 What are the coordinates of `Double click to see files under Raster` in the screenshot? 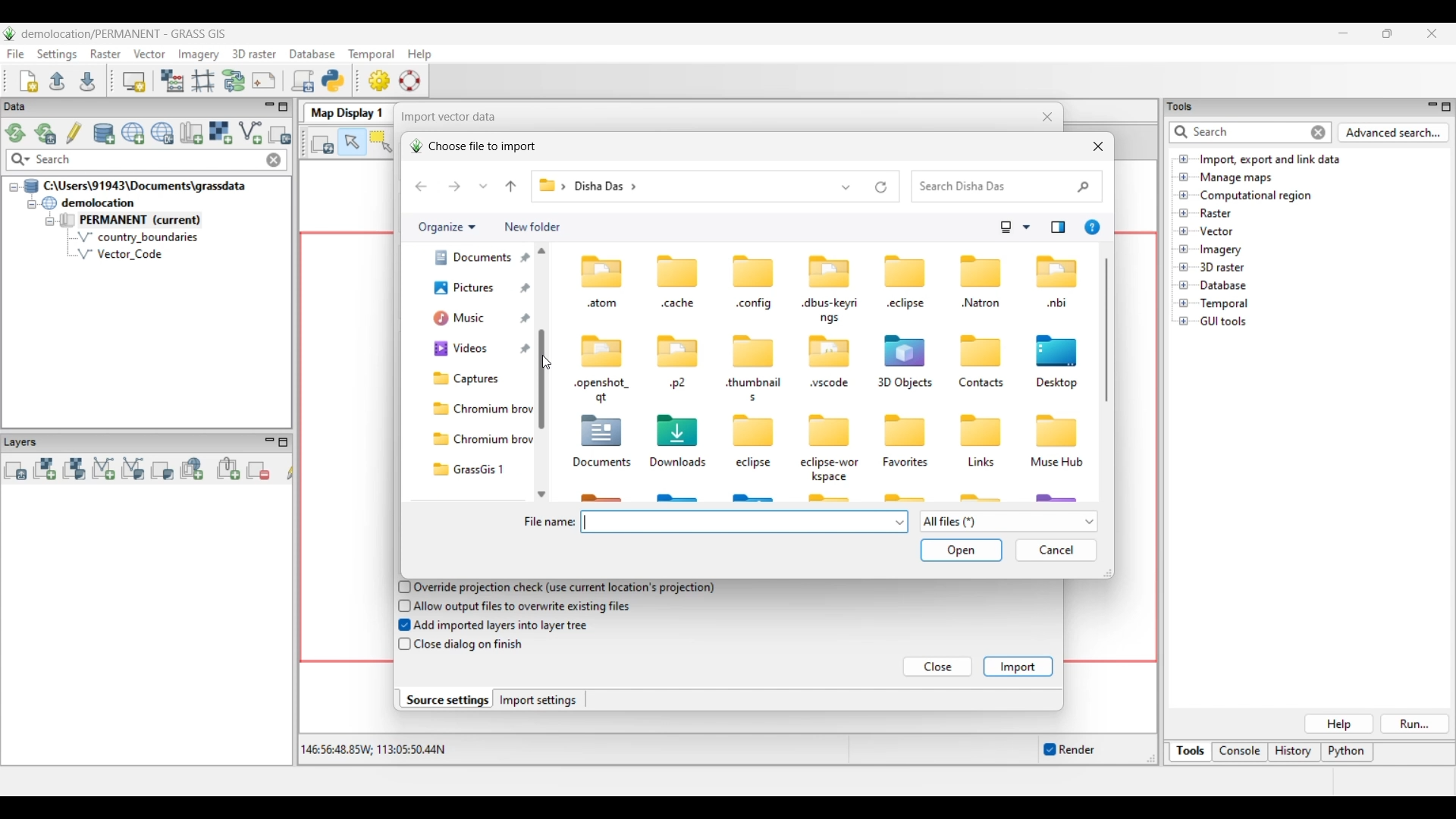 It's located at (1216, 213).